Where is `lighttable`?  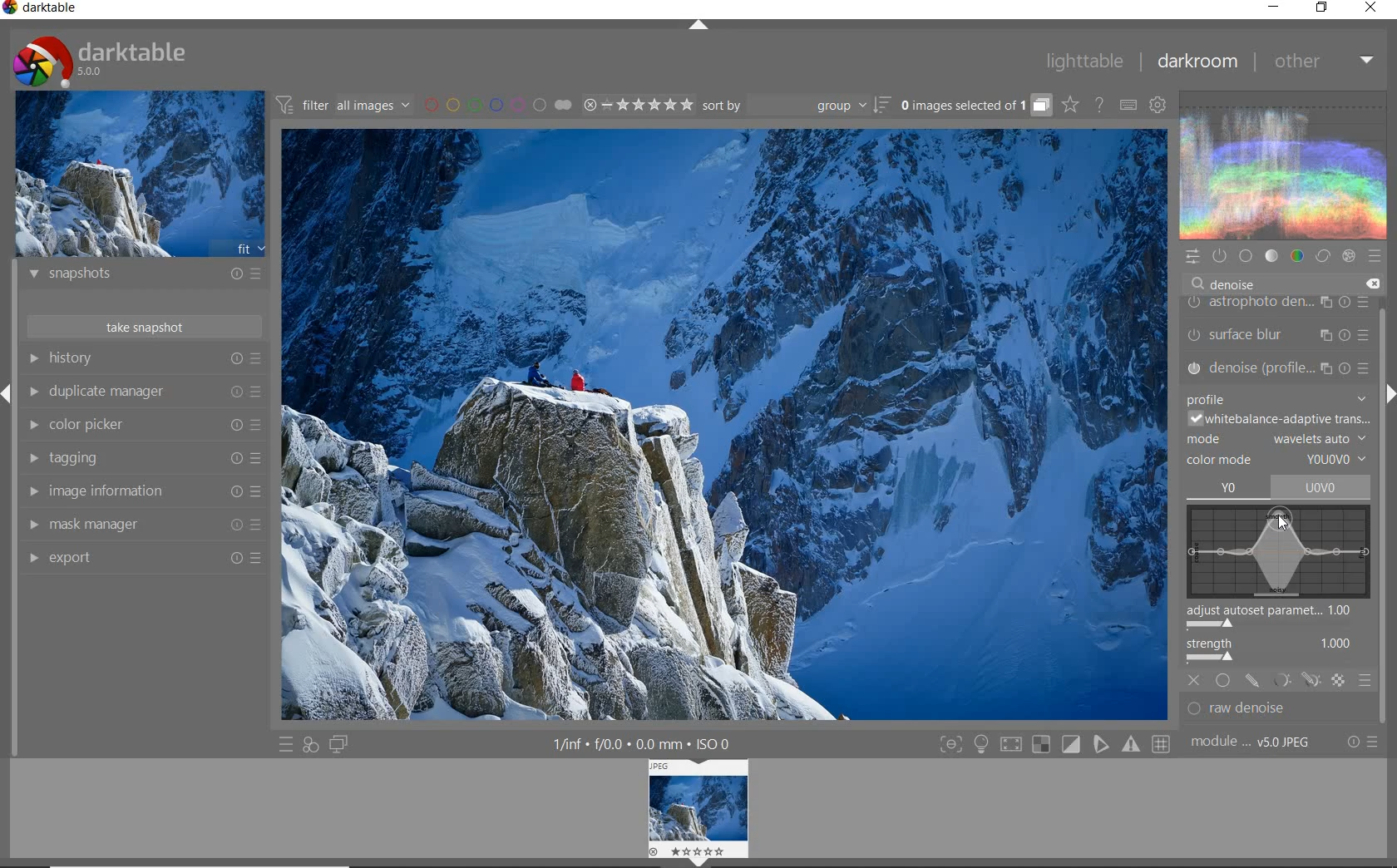 lighttable is located at coordinates (1085, 60).